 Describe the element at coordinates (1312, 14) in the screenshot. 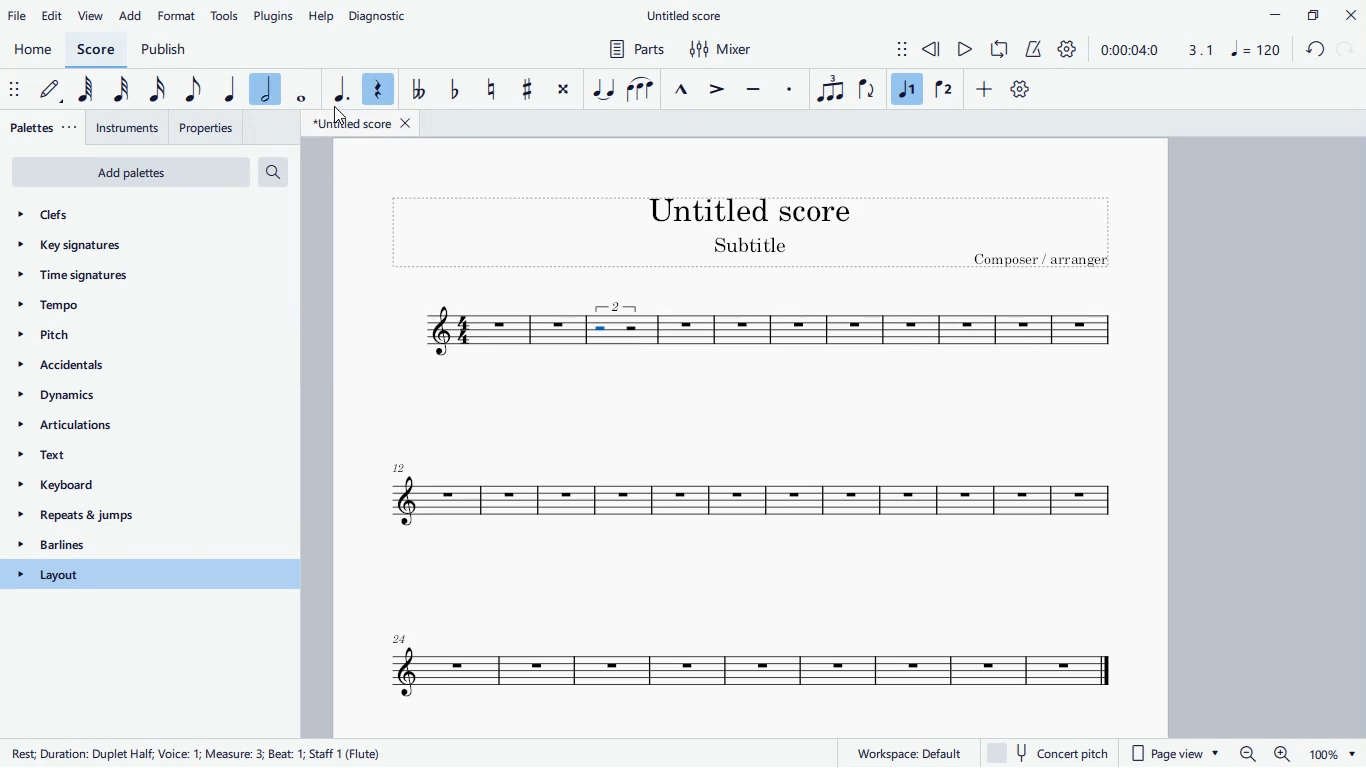

I see `maximize` at that location.